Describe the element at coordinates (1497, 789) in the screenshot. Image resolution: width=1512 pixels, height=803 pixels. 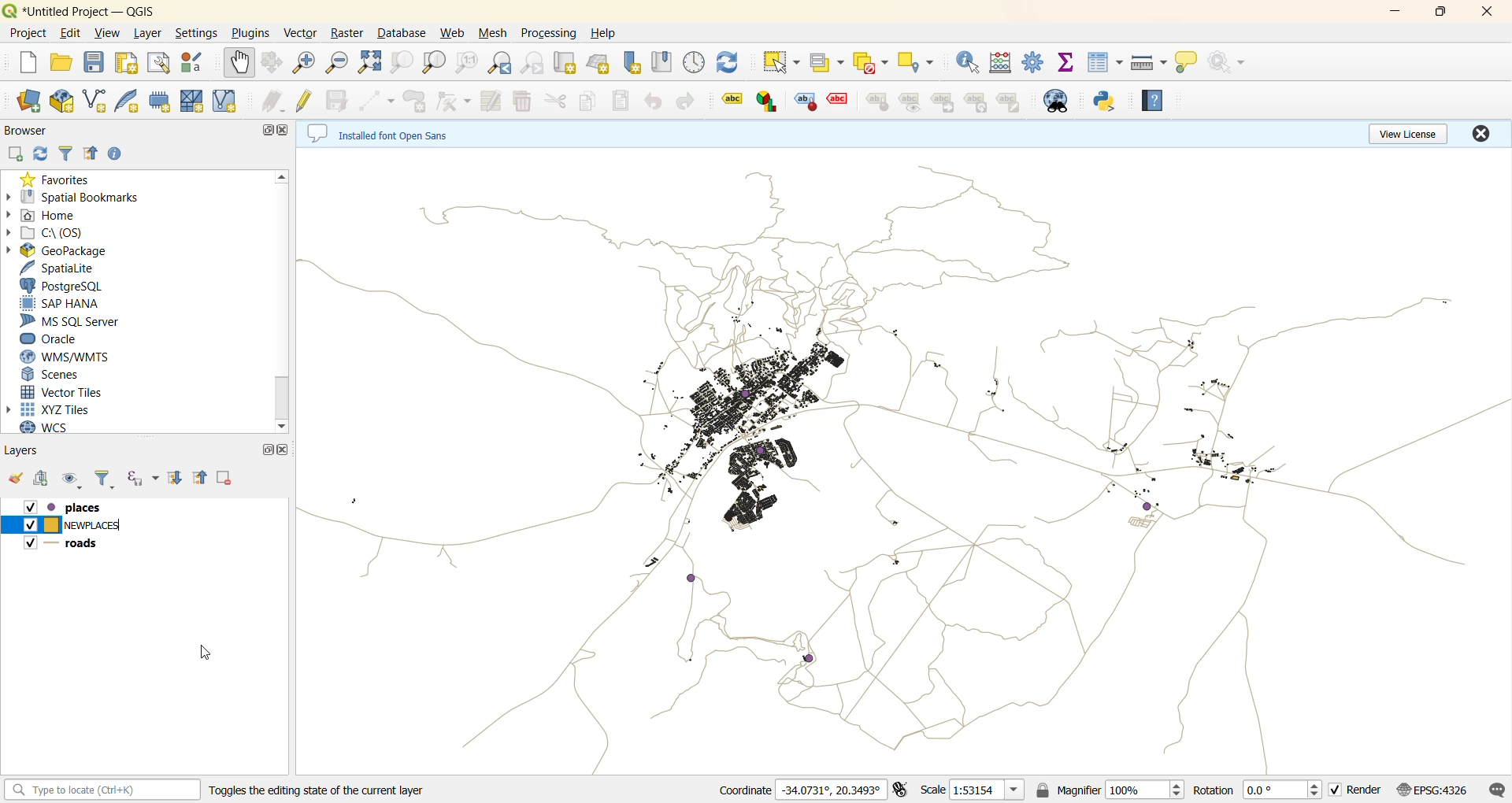
I see `log messages` at that location.